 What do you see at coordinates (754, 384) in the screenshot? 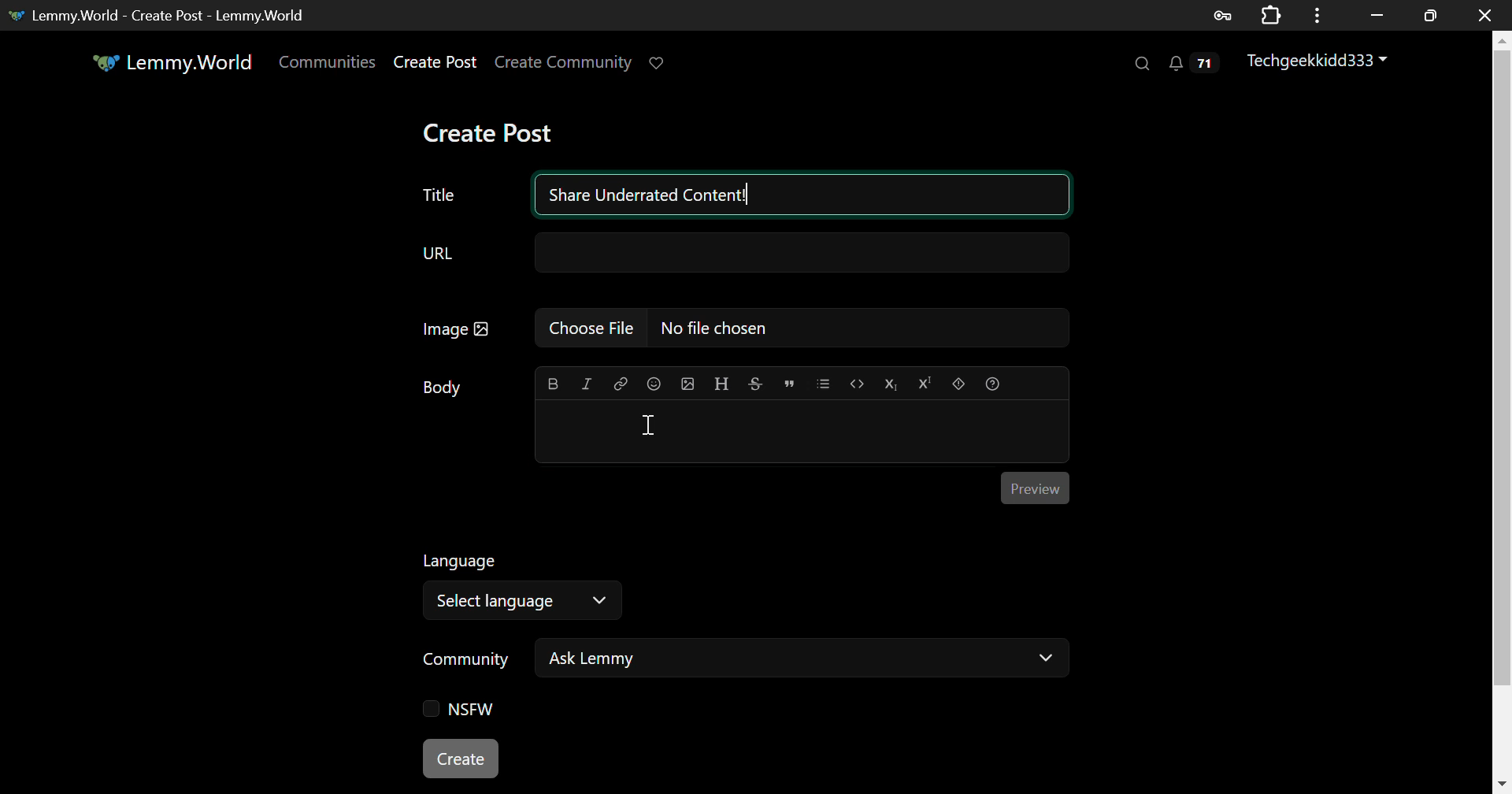
I see `Strikethrough` at bounding box center [754, 384].